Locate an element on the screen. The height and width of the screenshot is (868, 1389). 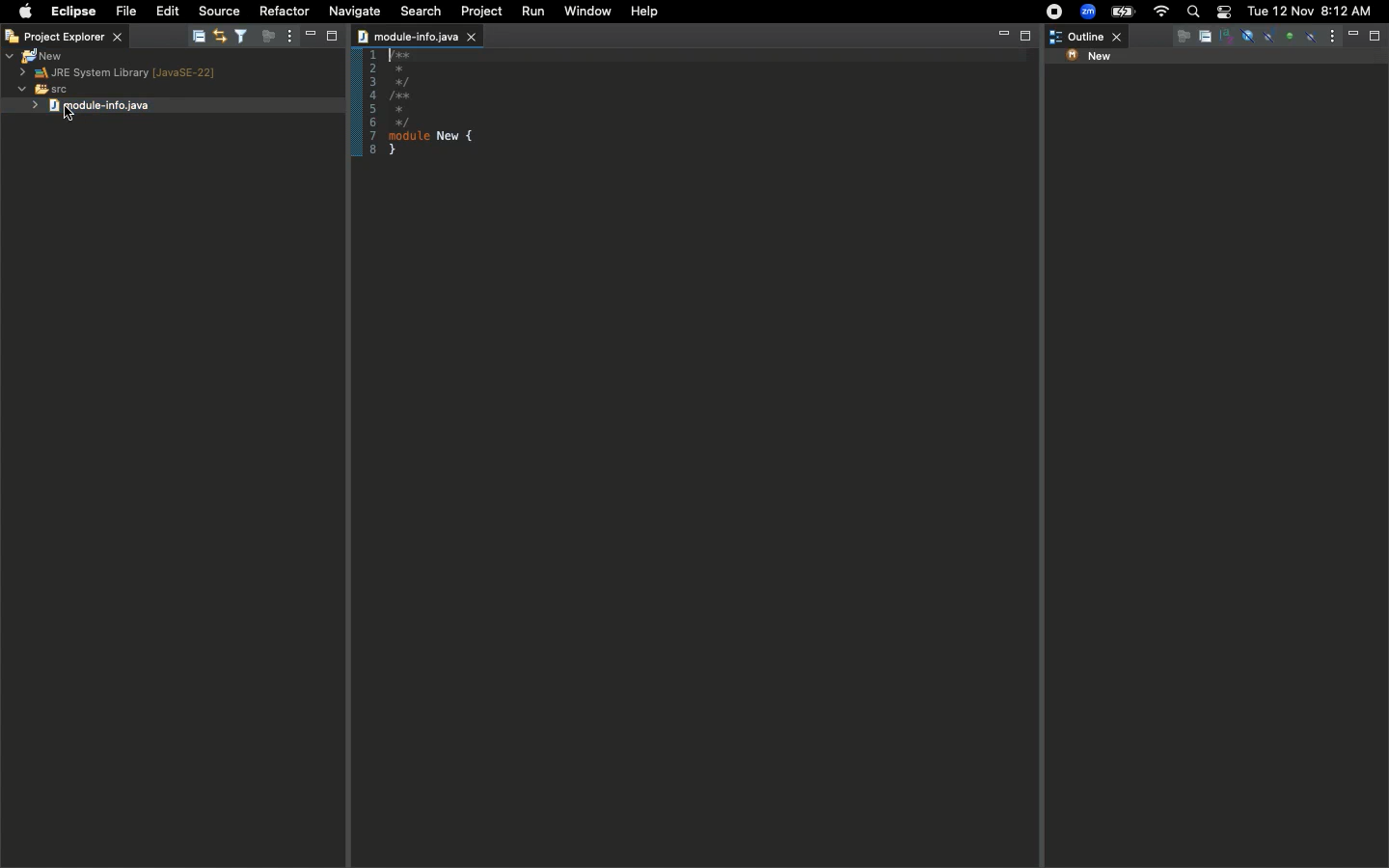
Project is located at coordinates (483, 12).